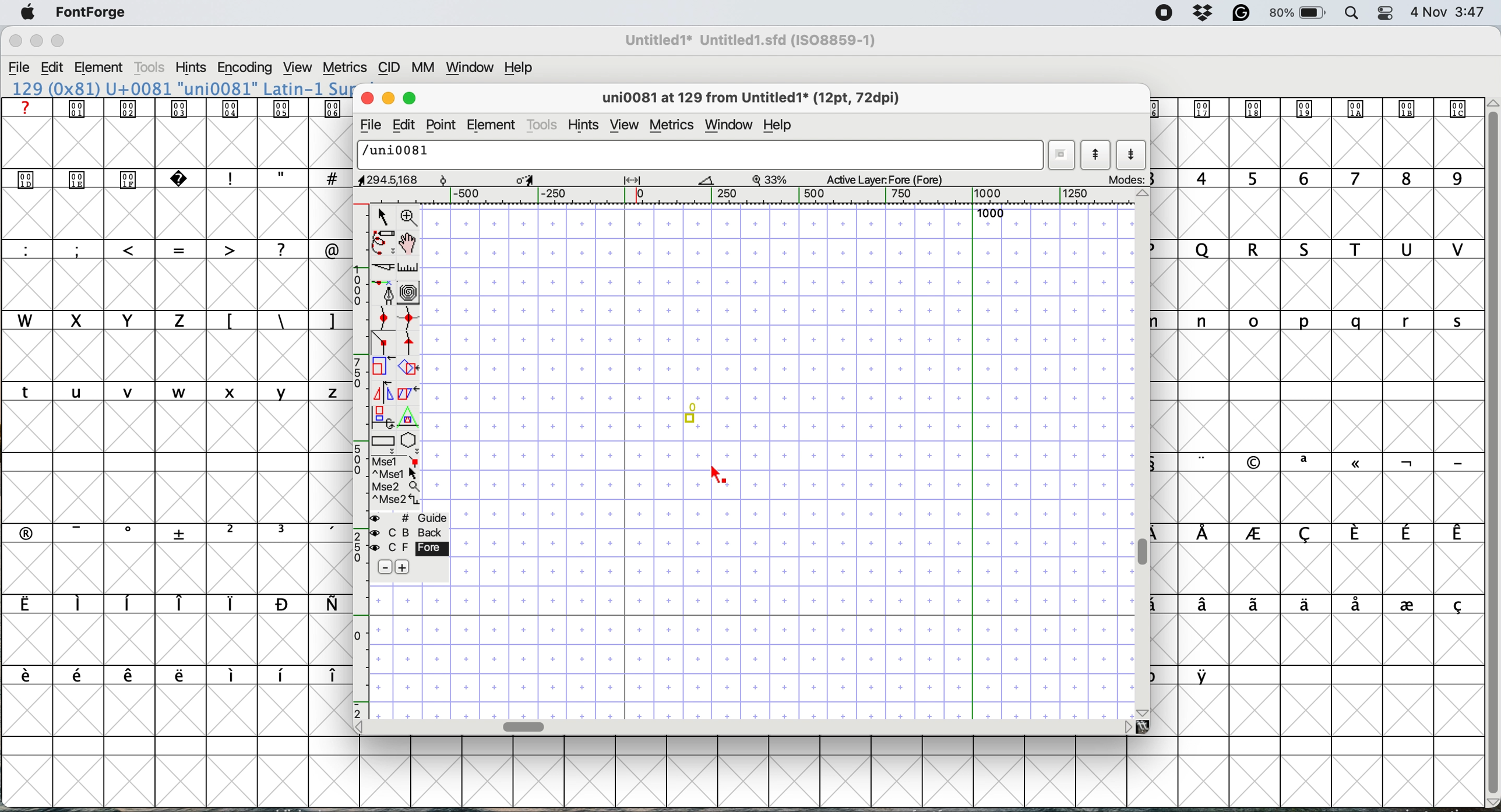  I want to click on rotate the selection in 3d, so click(383, 416).